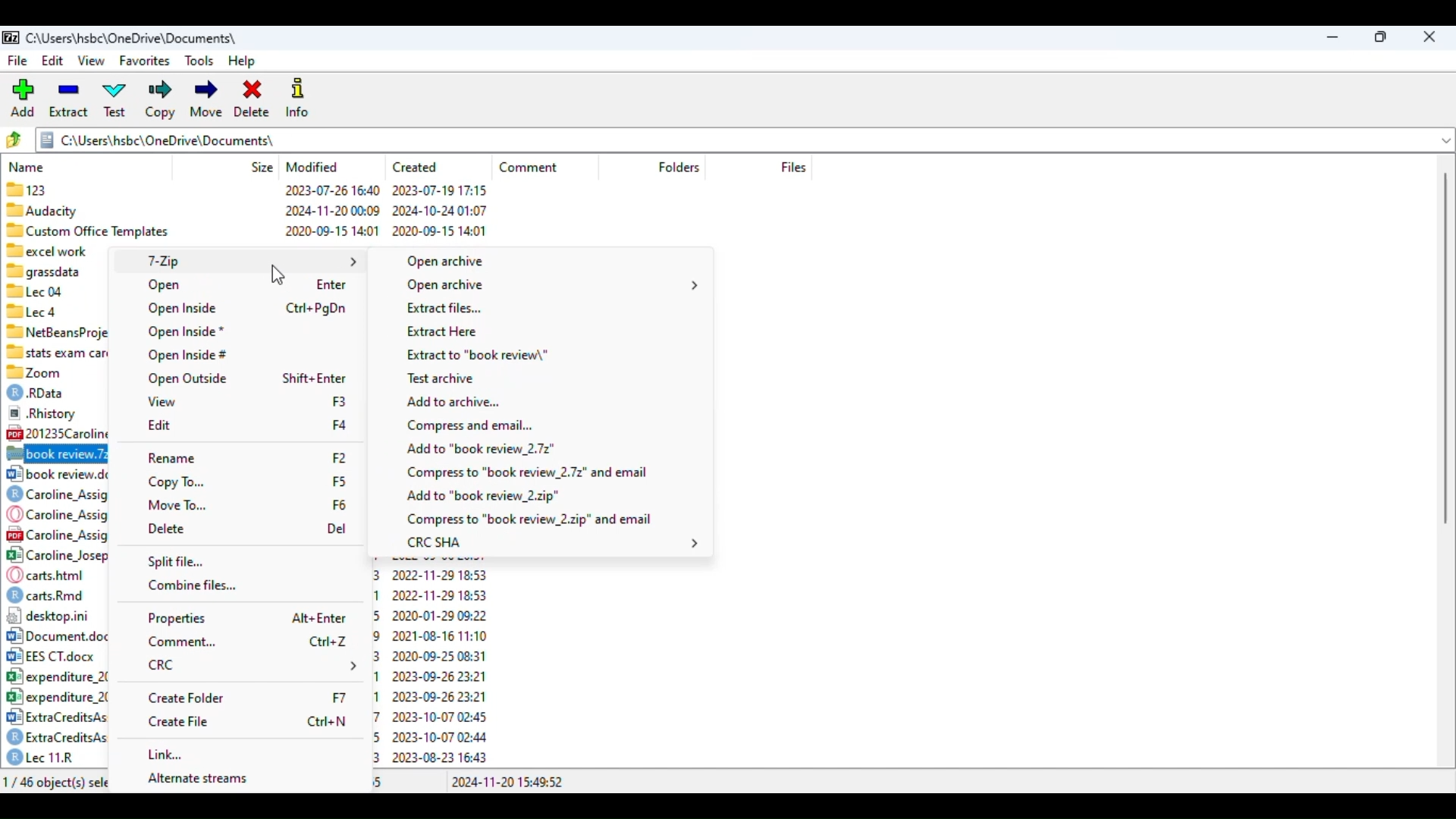 The image size is (1456, 819). I want to click on extract to file, so click(478, 354).